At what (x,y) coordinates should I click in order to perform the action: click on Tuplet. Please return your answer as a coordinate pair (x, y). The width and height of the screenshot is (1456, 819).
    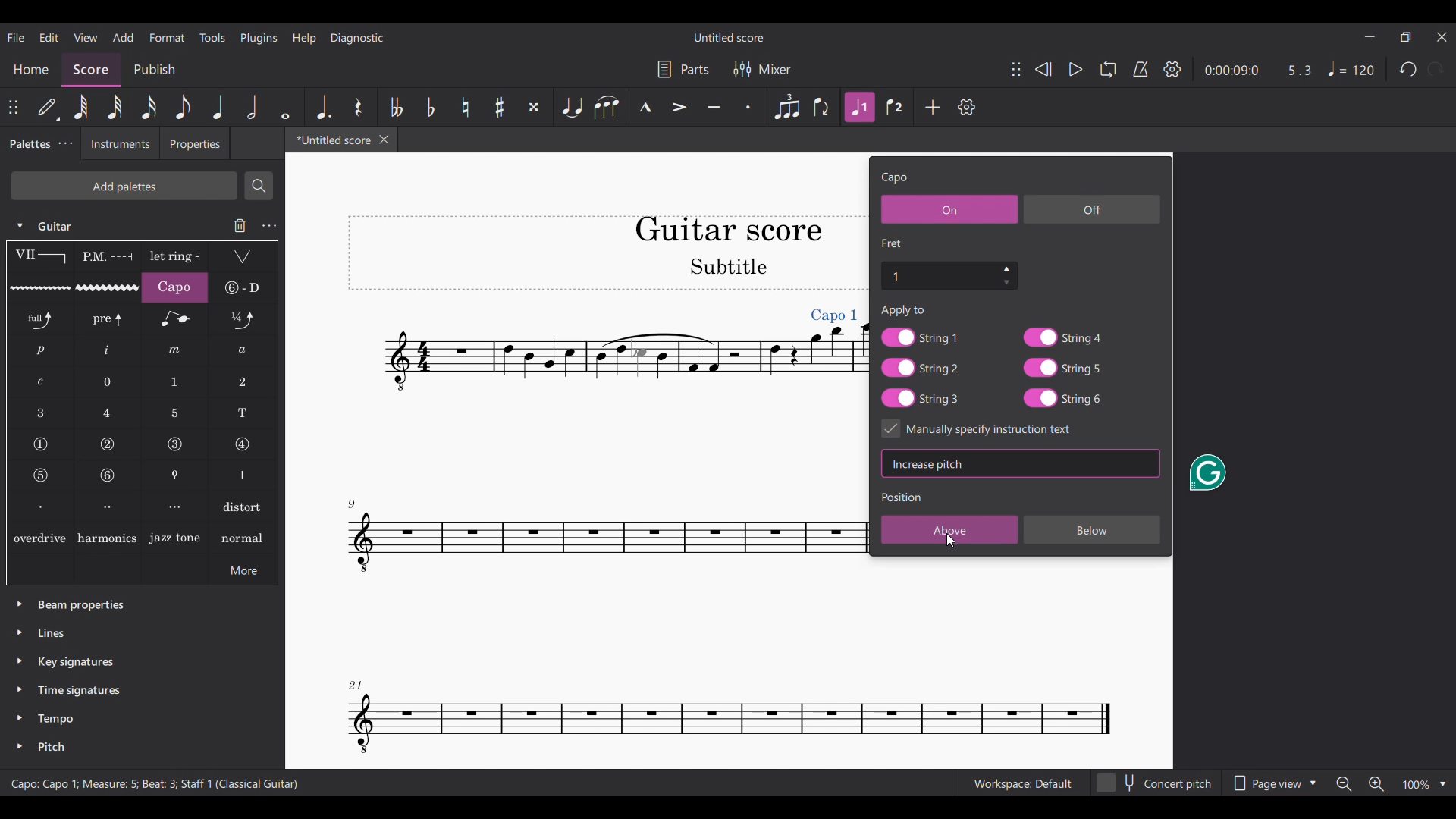
    Looking at the image, I should click on (786, 107).